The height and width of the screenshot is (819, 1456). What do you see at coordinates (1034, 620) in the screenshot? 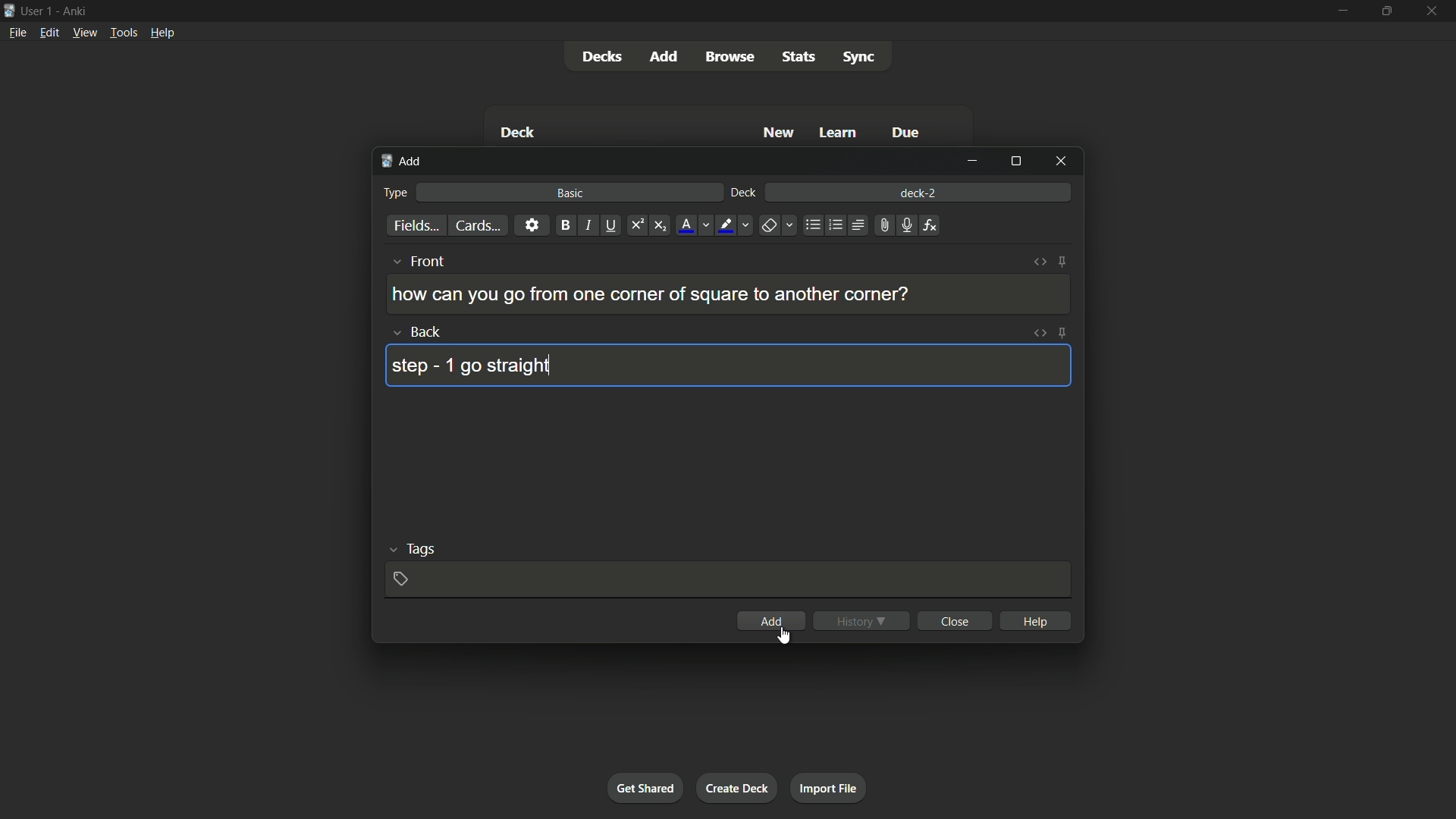
I see `help` at bounding box center [1034, 620].